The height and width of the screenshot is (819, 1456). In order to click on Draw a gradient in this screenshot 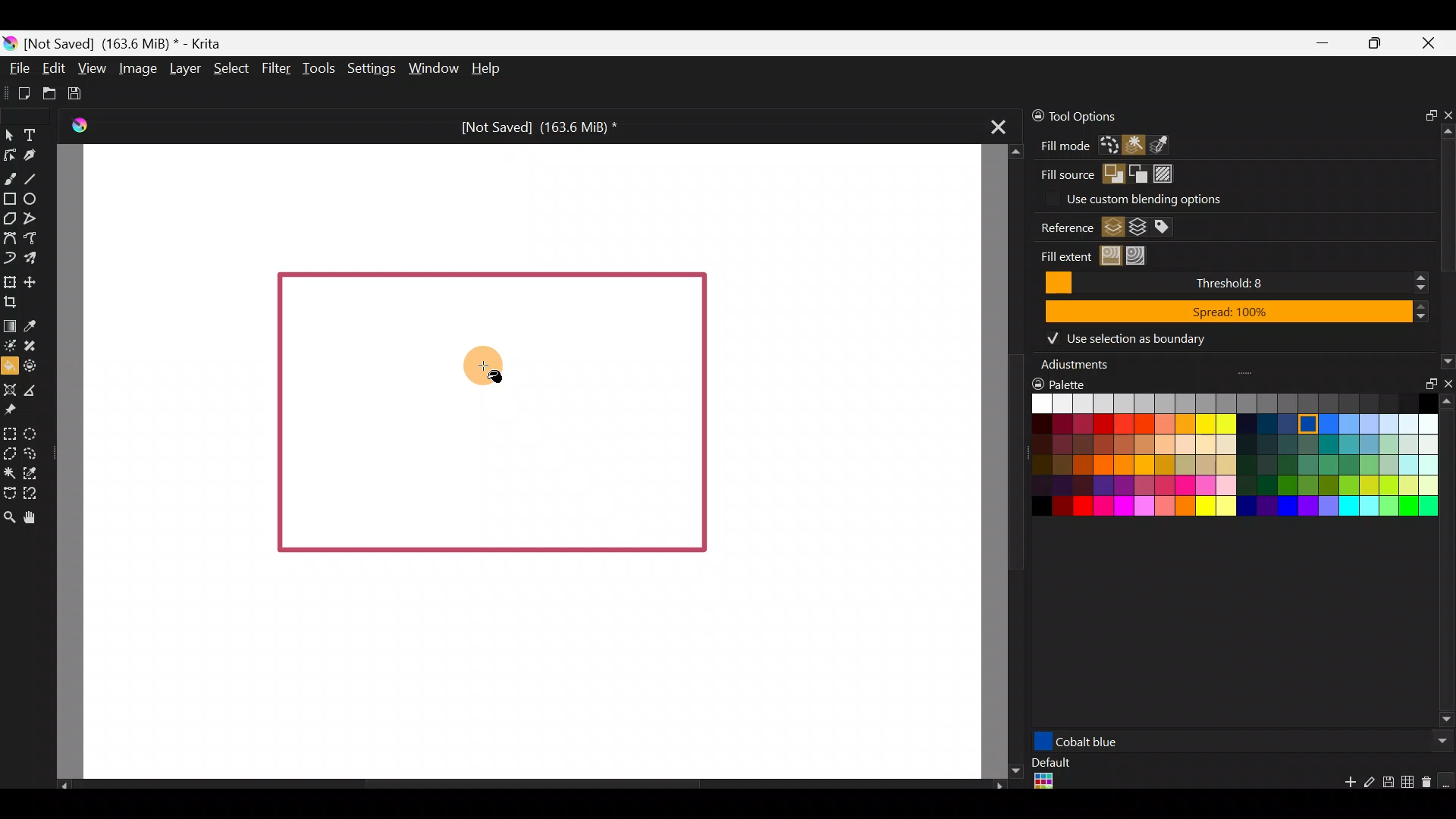, I will do `click(10, 326)`.